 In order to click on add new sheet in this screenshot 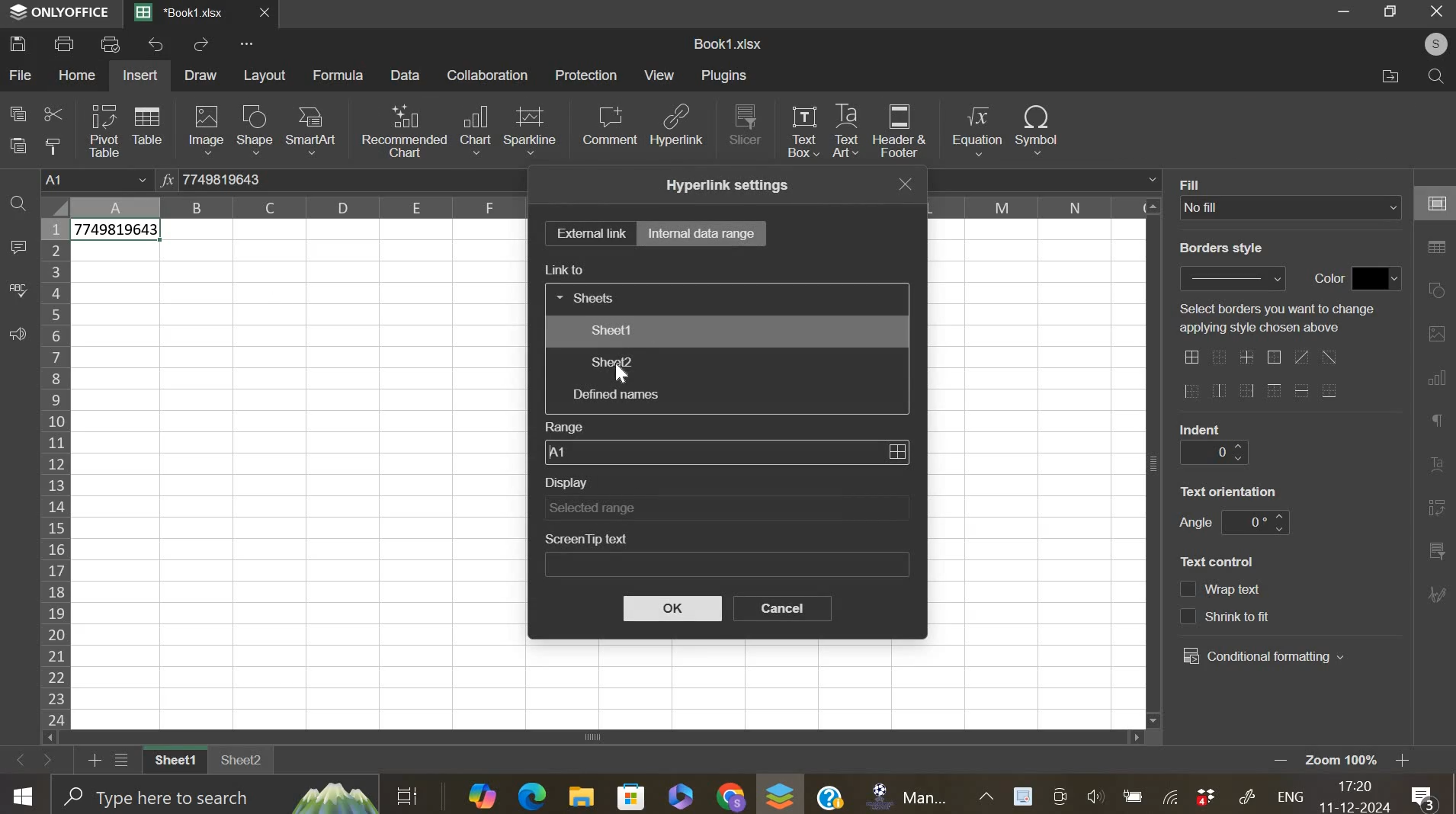, I will do `click(93, 758)`.